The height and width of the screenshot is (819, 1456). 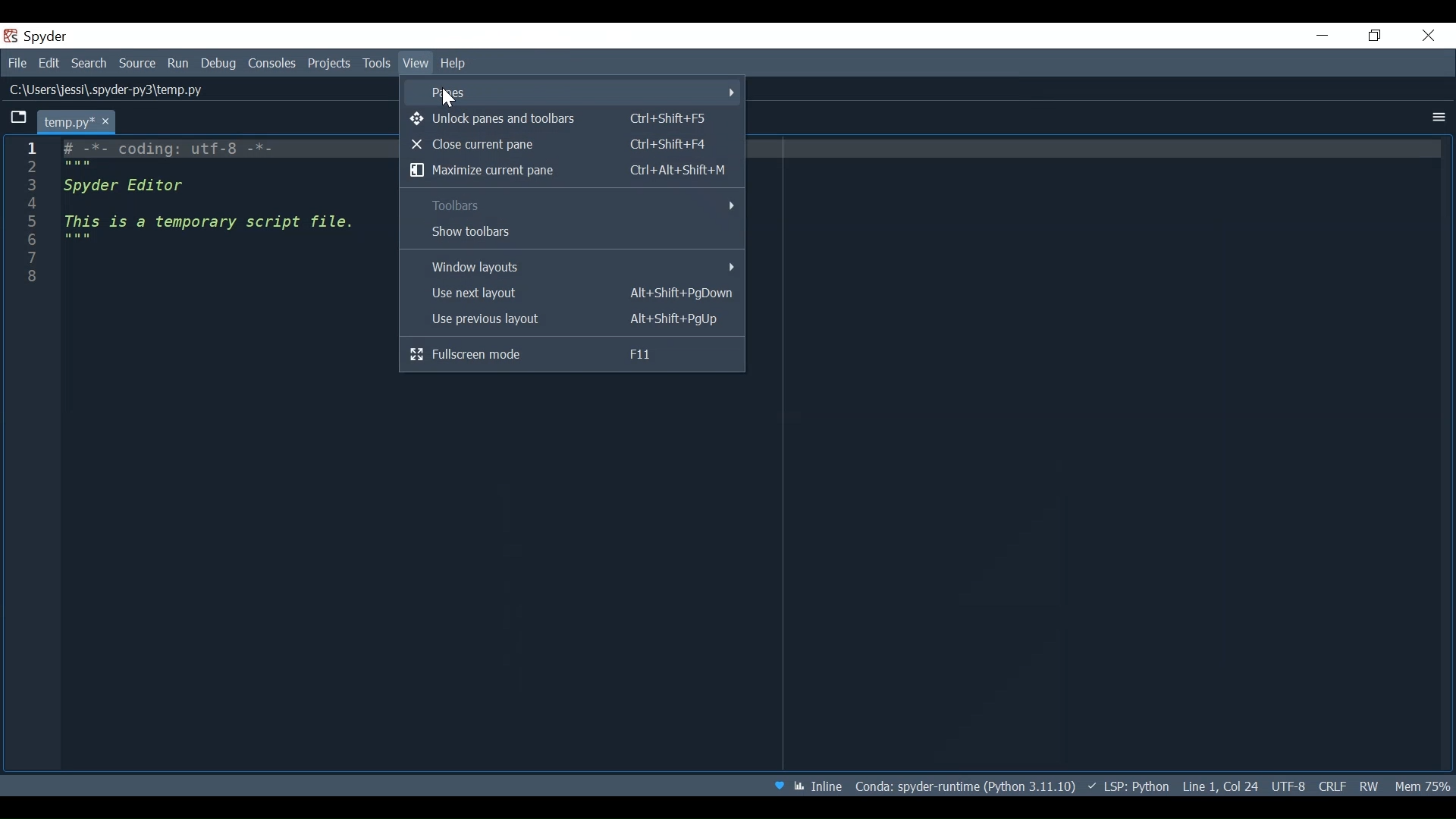 I want to click on Memory Usage, so click(x=1425, y=786).